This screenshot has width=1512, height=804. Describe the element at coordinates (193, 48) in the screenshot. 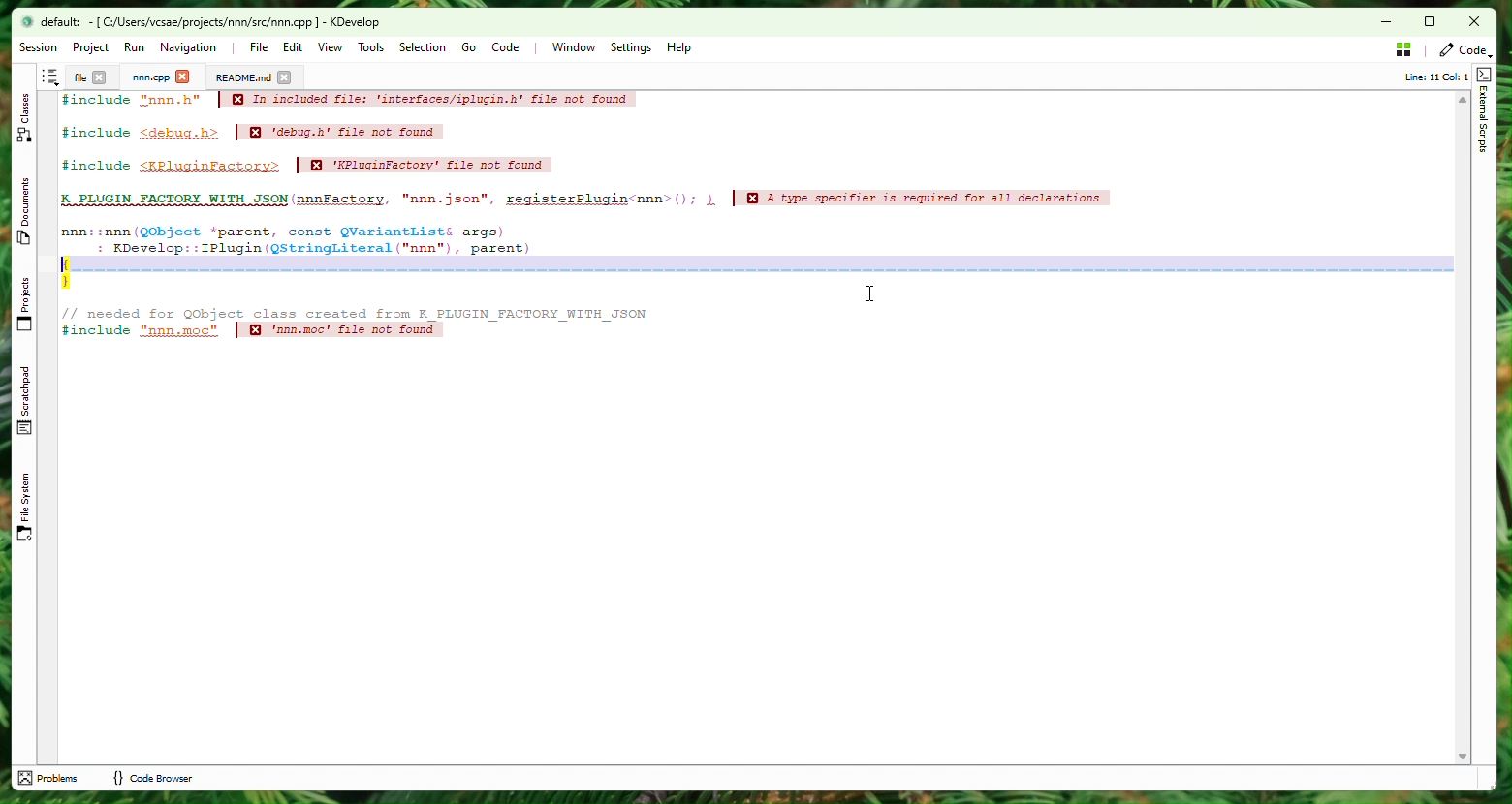

I see `Navigation` at that location.